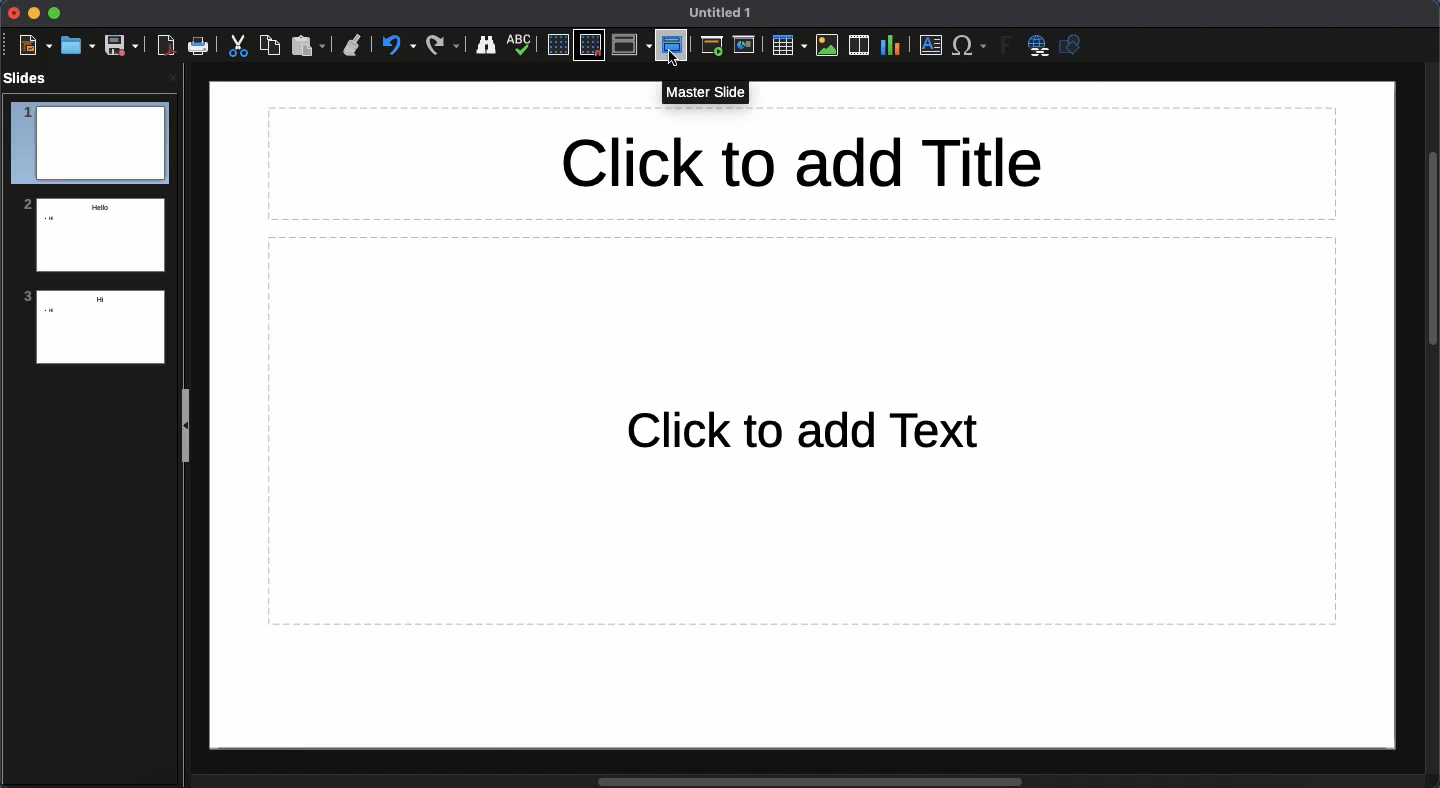  What do you see at coordinates (32, 45) in the screenshot?
I see `New` at bounding box center [32, 45].